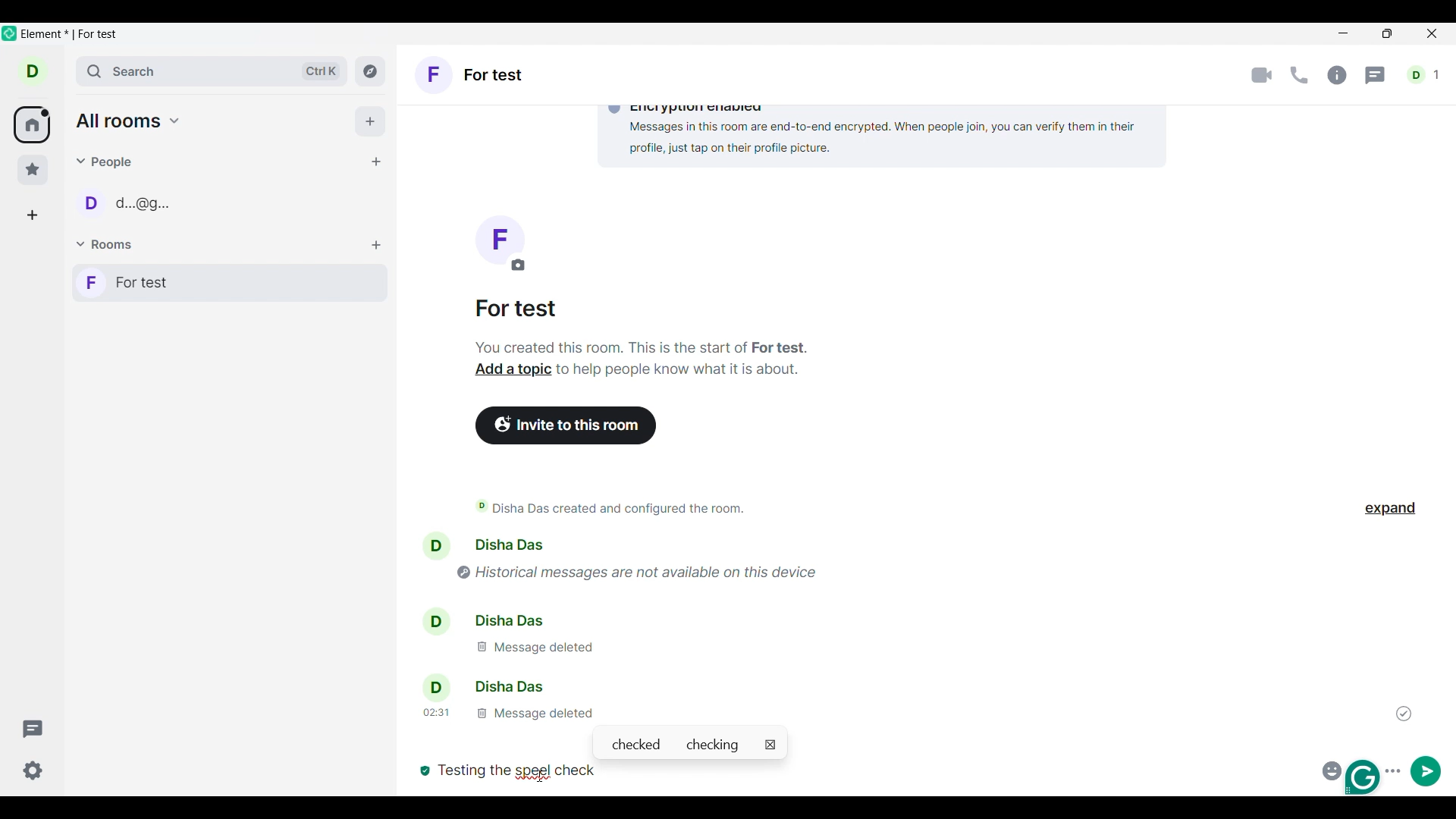  What do you see at coordinates (567, 425) in the screenshot?
I see `Invite to this room` at bounding box center [567, 425].